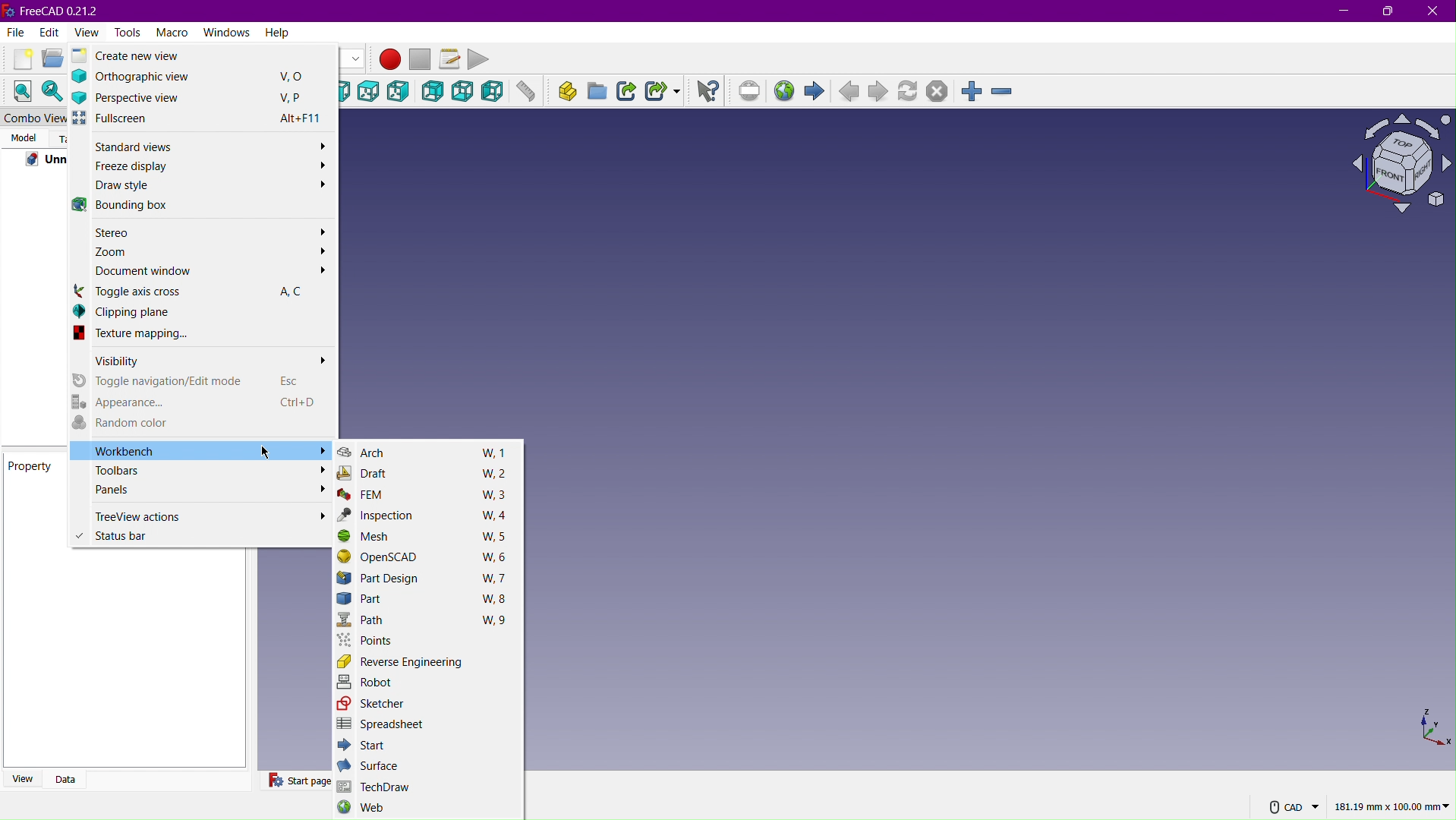  Describe the element at coordinates (434, 92) in the screenshot. I see `Back` at that location.